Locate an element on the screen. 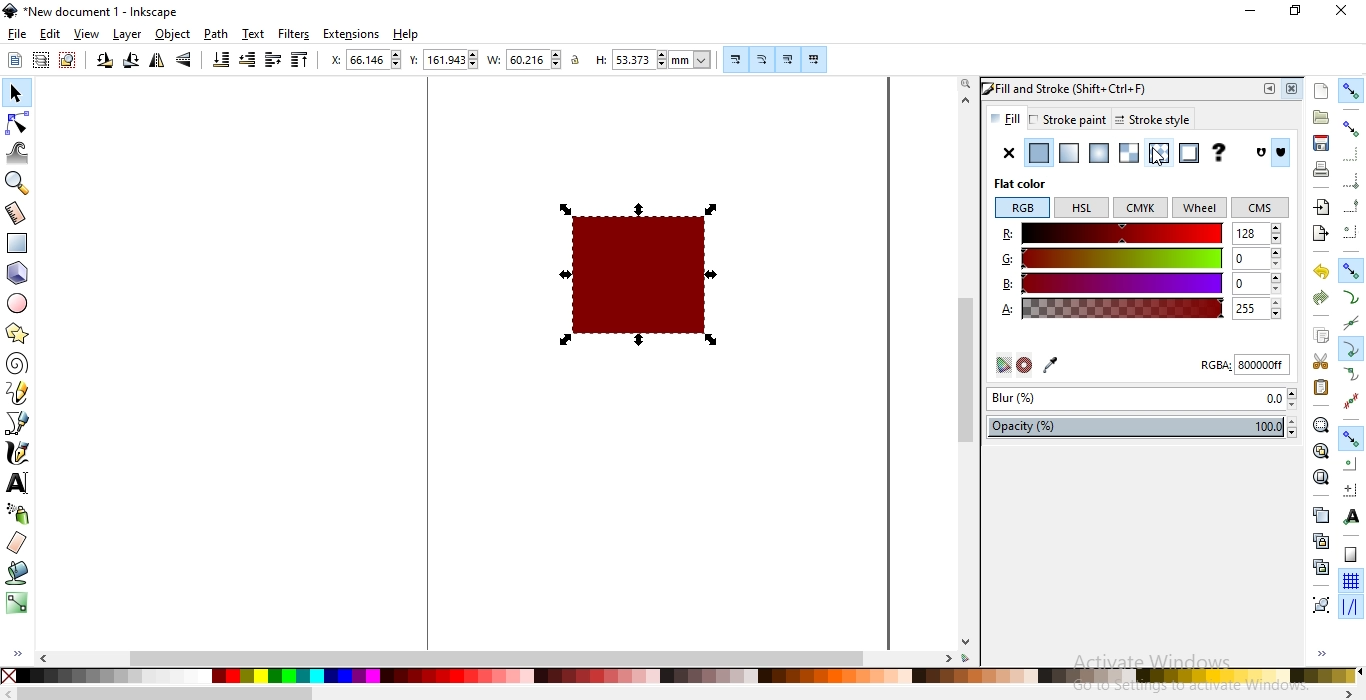 The width and height of the screenshot is (1366, 700). fill and stroke is located at coordinates (1080, 87).